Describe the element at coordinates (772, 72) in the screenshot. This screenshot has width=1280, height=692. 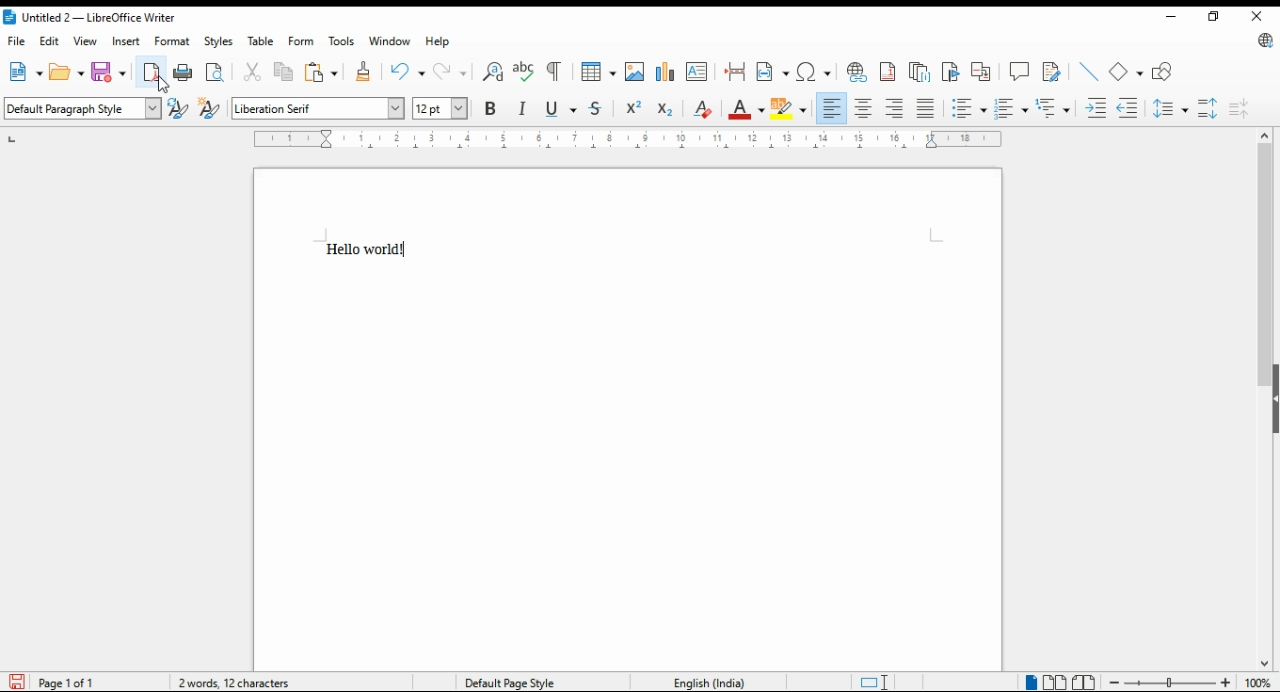
I see `insert field` at that location.